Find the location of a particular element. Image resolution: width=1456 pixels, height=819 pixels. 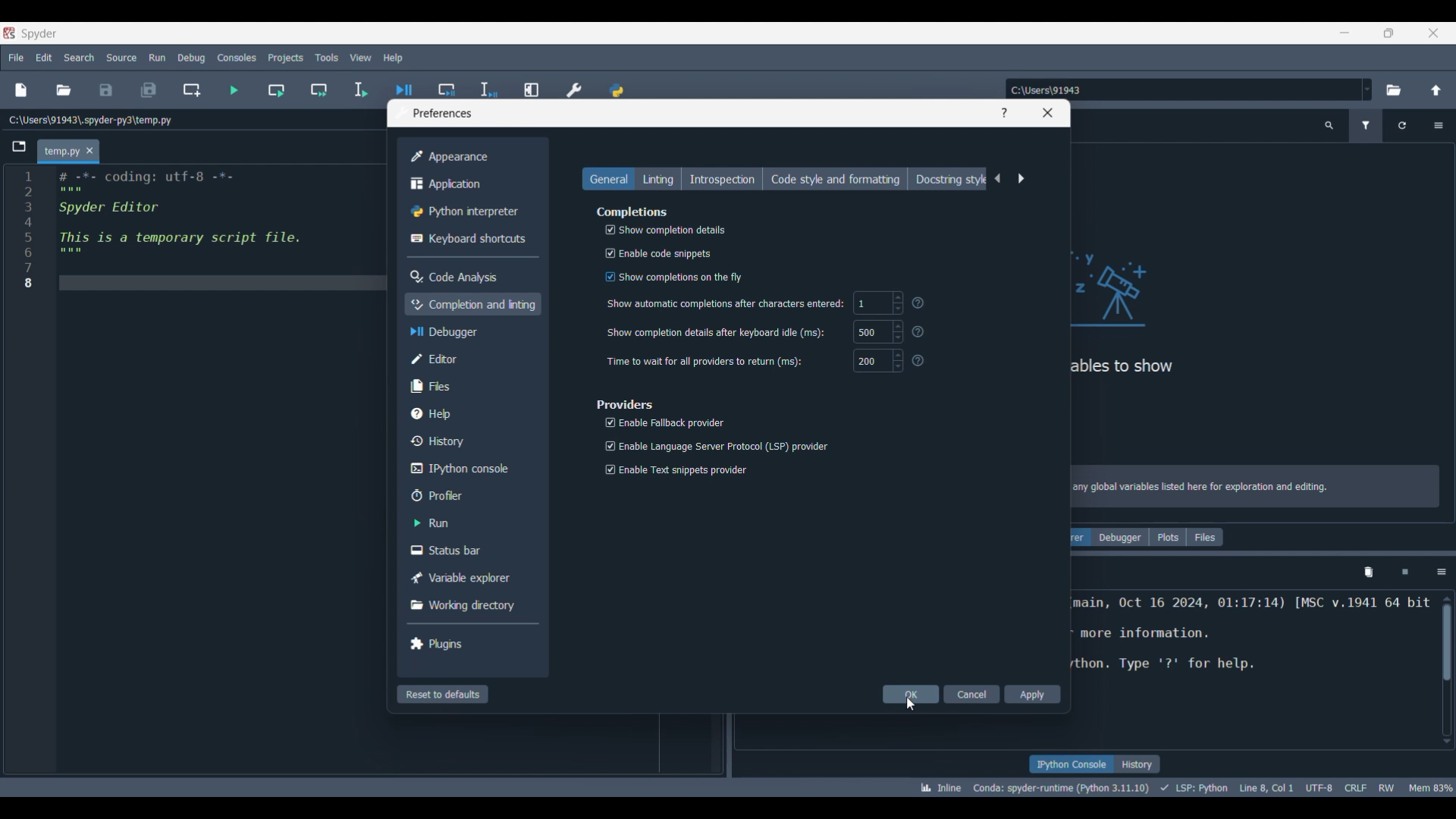

Preferences is located at coordinates (575, 86).